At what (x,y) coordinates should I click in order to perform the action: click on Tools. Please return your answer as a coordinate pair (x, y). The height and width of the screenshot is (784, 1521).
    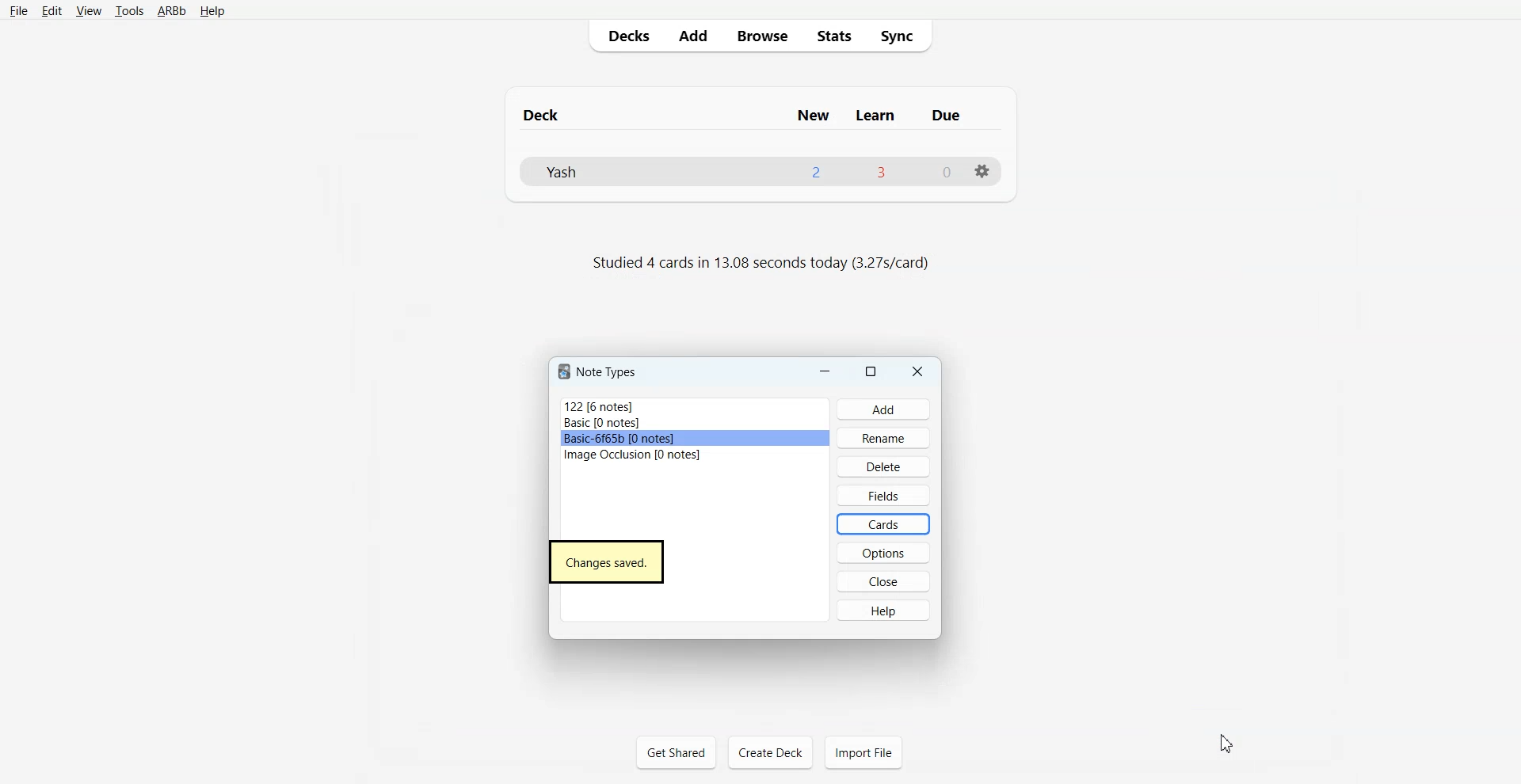
    Looking at the image, I should click on (129, 11).